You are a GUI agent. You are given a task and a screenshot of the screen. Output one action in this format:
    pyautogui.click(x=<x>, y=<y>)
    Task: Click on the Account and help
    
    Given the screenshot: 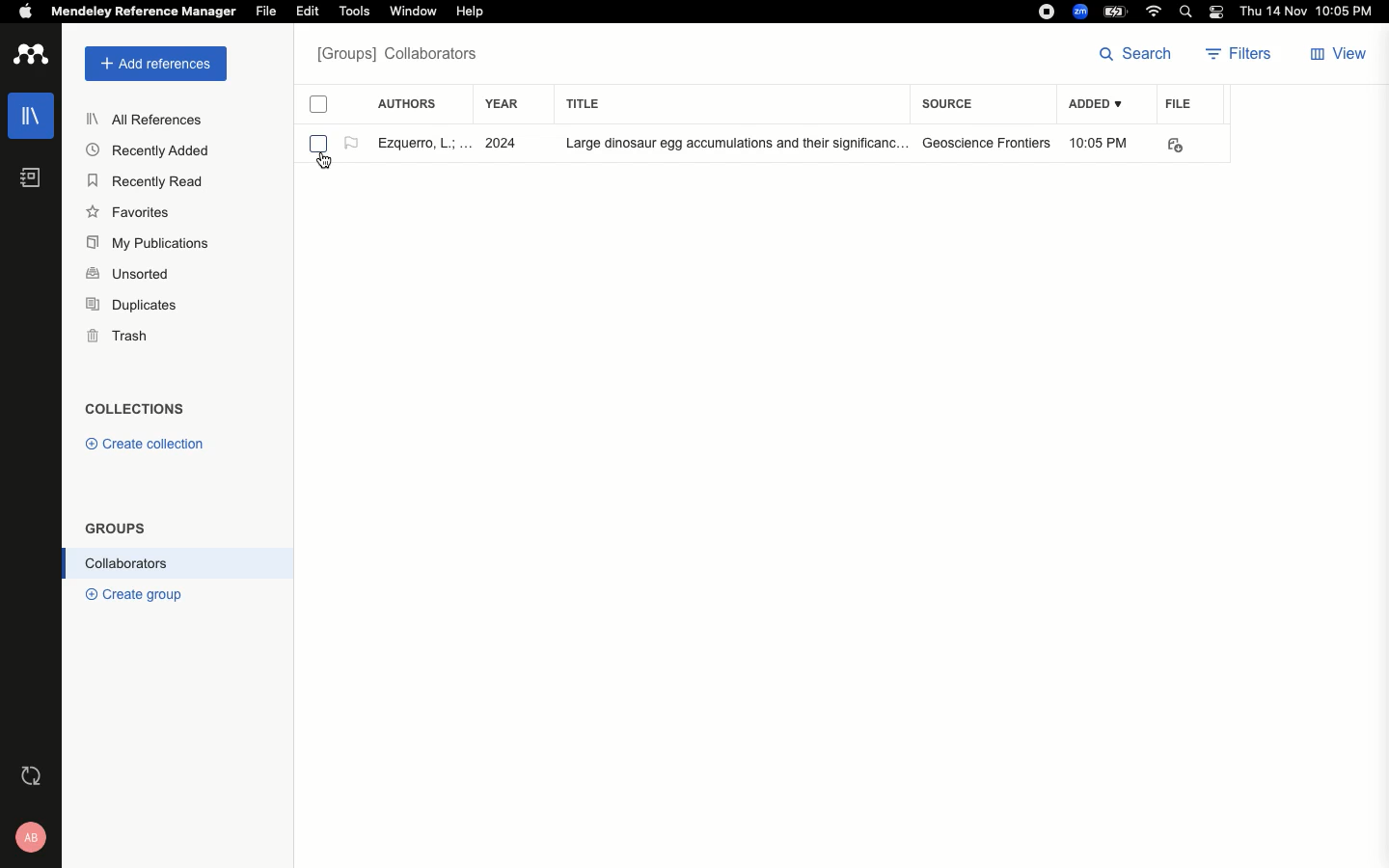 What is the action you would take?
    pyautogui.click(x=38, y=836)
    